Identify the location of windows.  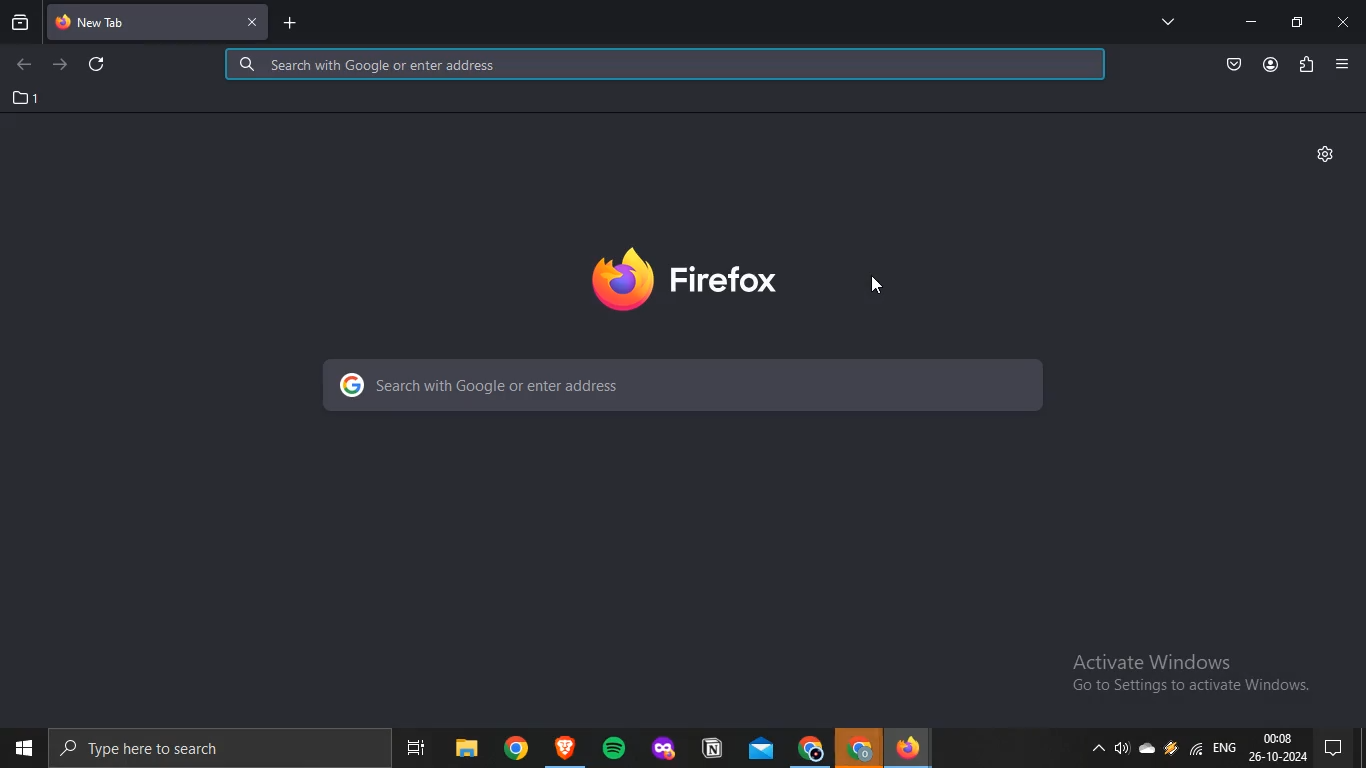
(22, 747).